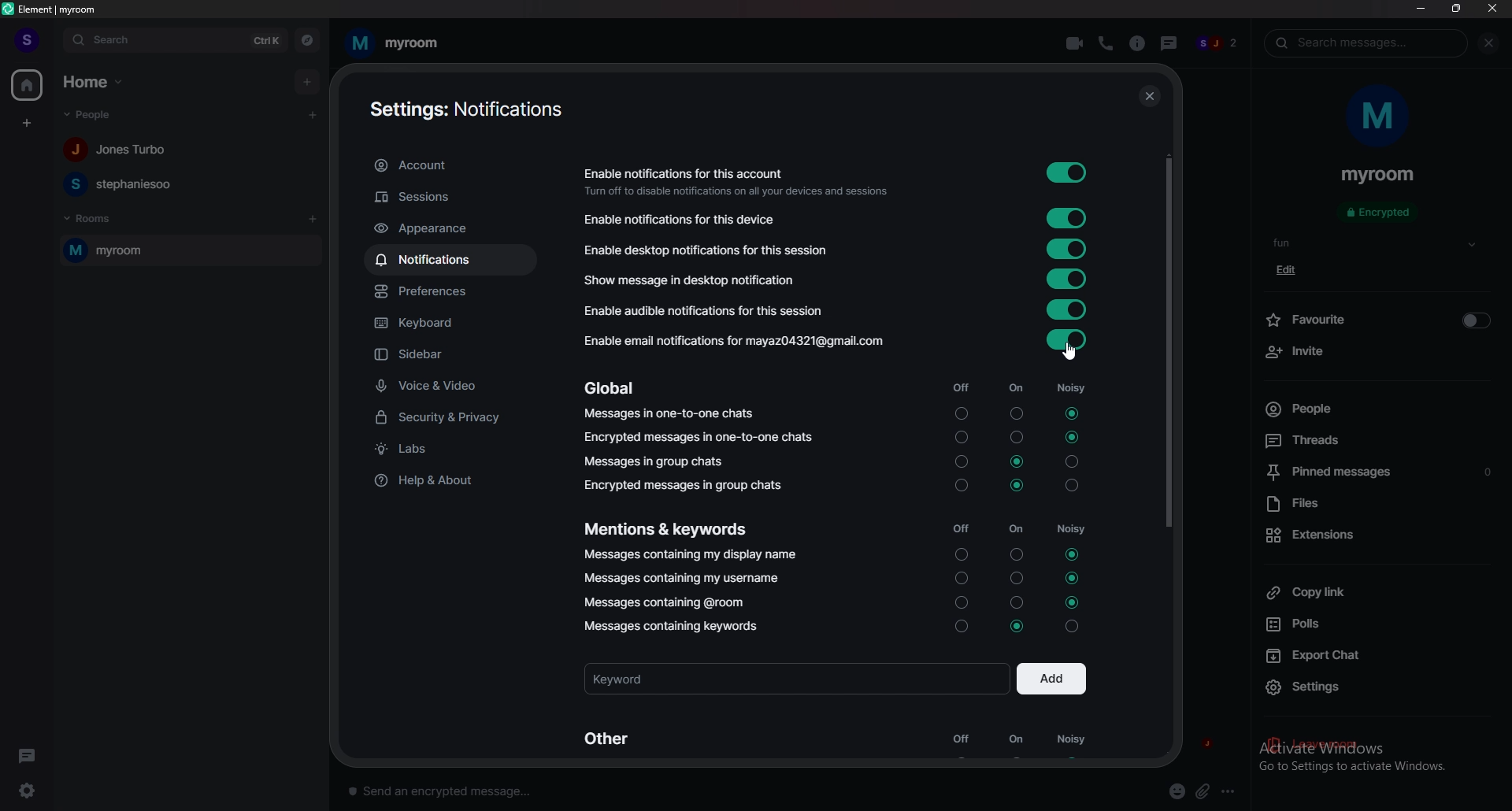 The image size is (1512, 811). I want to click on messages containing my display name, so click(689, 555).